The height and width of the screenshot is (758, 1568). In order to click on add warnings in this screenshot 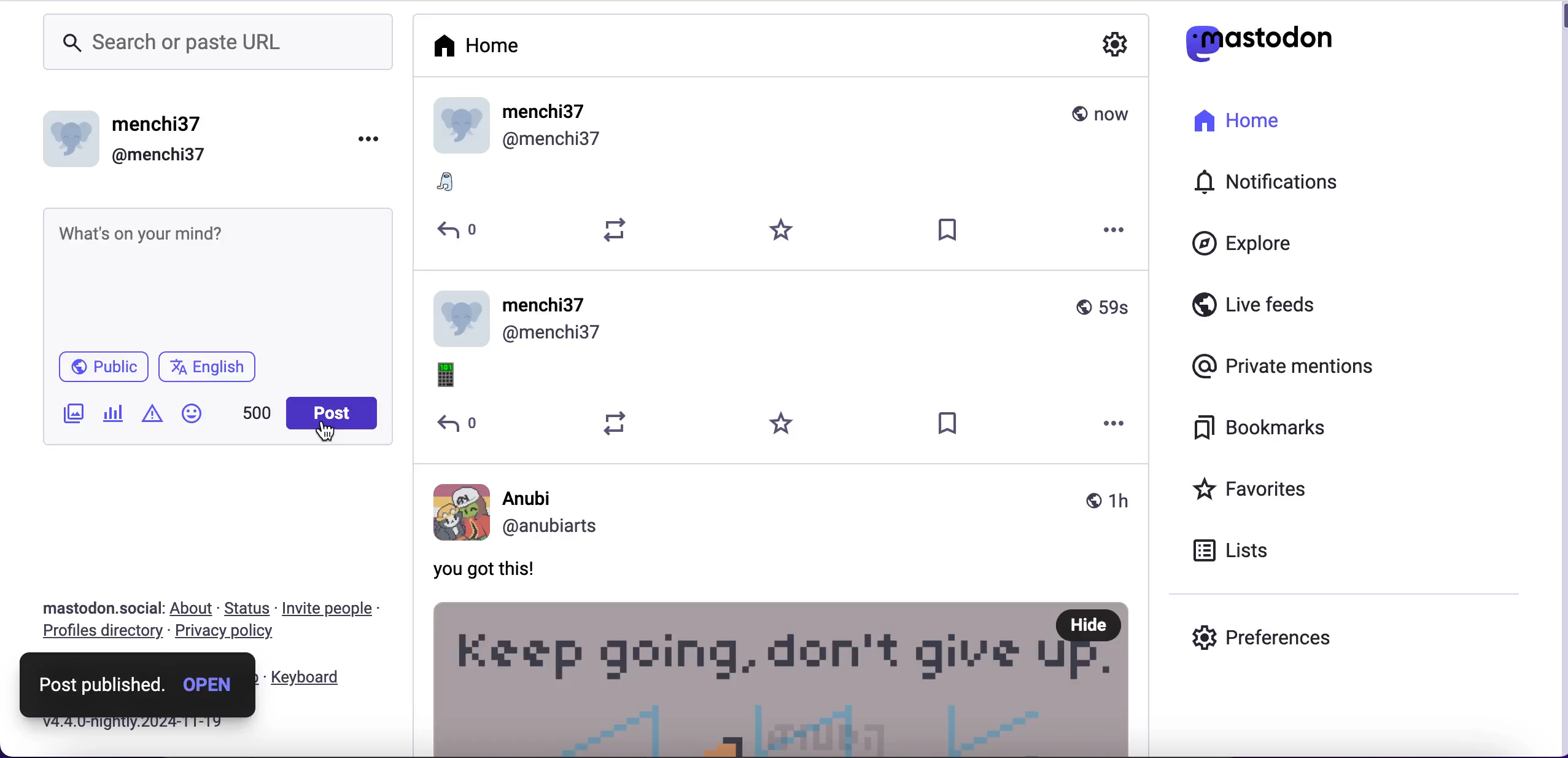, I will do `click(153, 413)`.